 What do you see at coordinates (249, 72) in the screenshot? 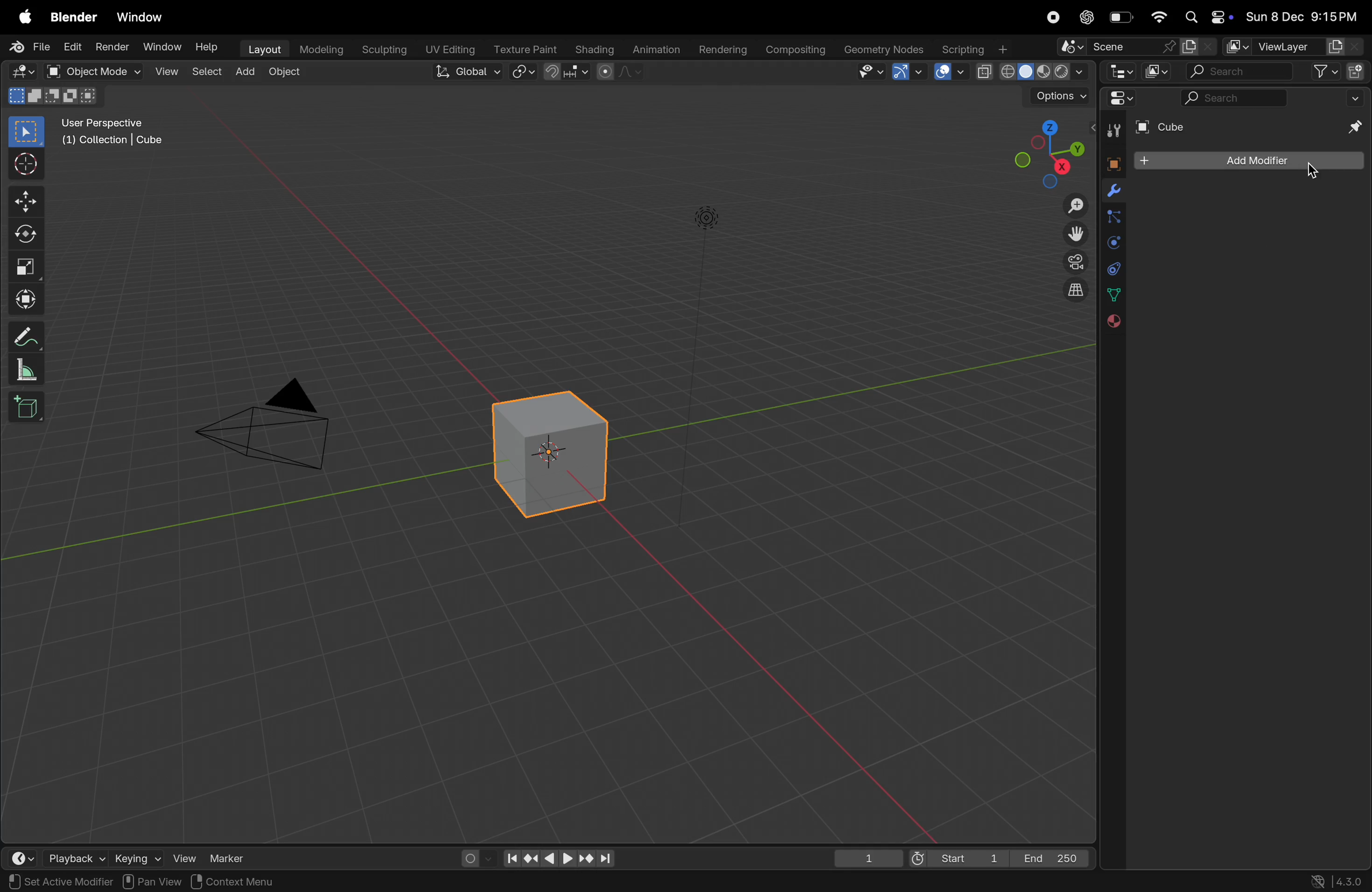
I see `add` at bounding box center [249, 72].